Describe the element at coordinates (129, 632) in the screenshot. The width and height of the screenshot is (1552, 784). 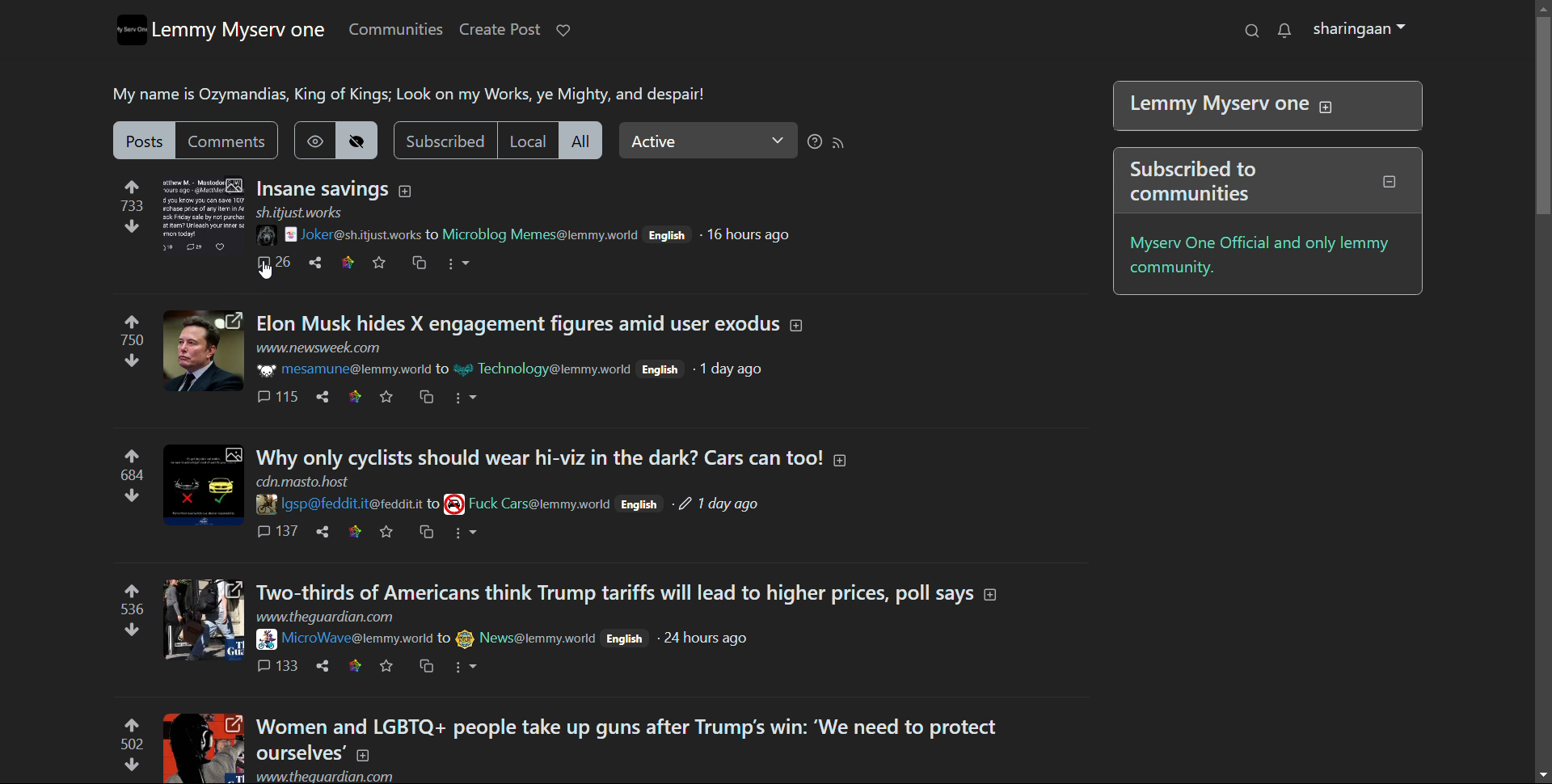
I see `downvotes` at that location.